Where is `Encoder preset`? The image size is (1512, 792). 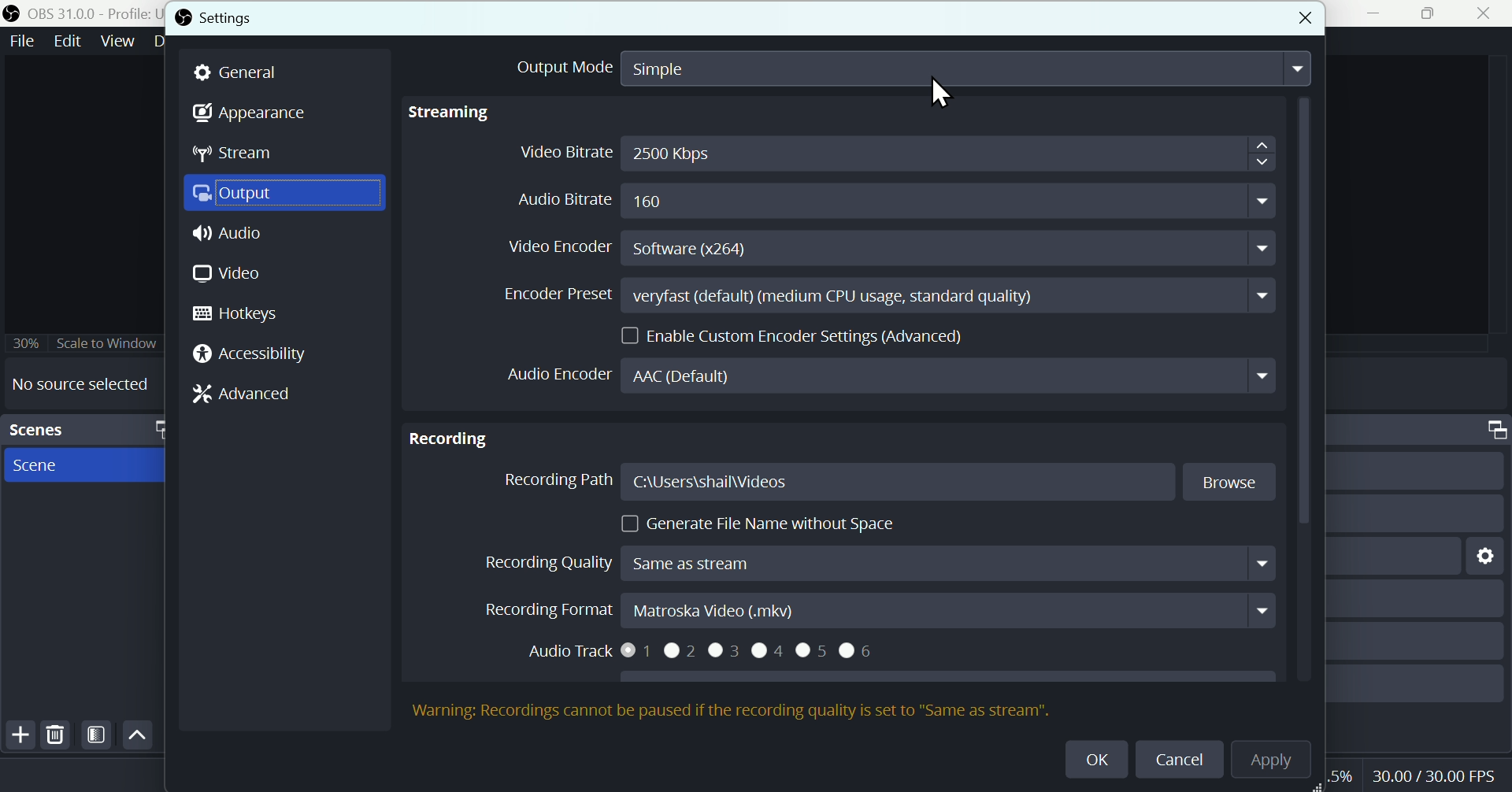 Encoder preset is located at coordinates (873, 294).